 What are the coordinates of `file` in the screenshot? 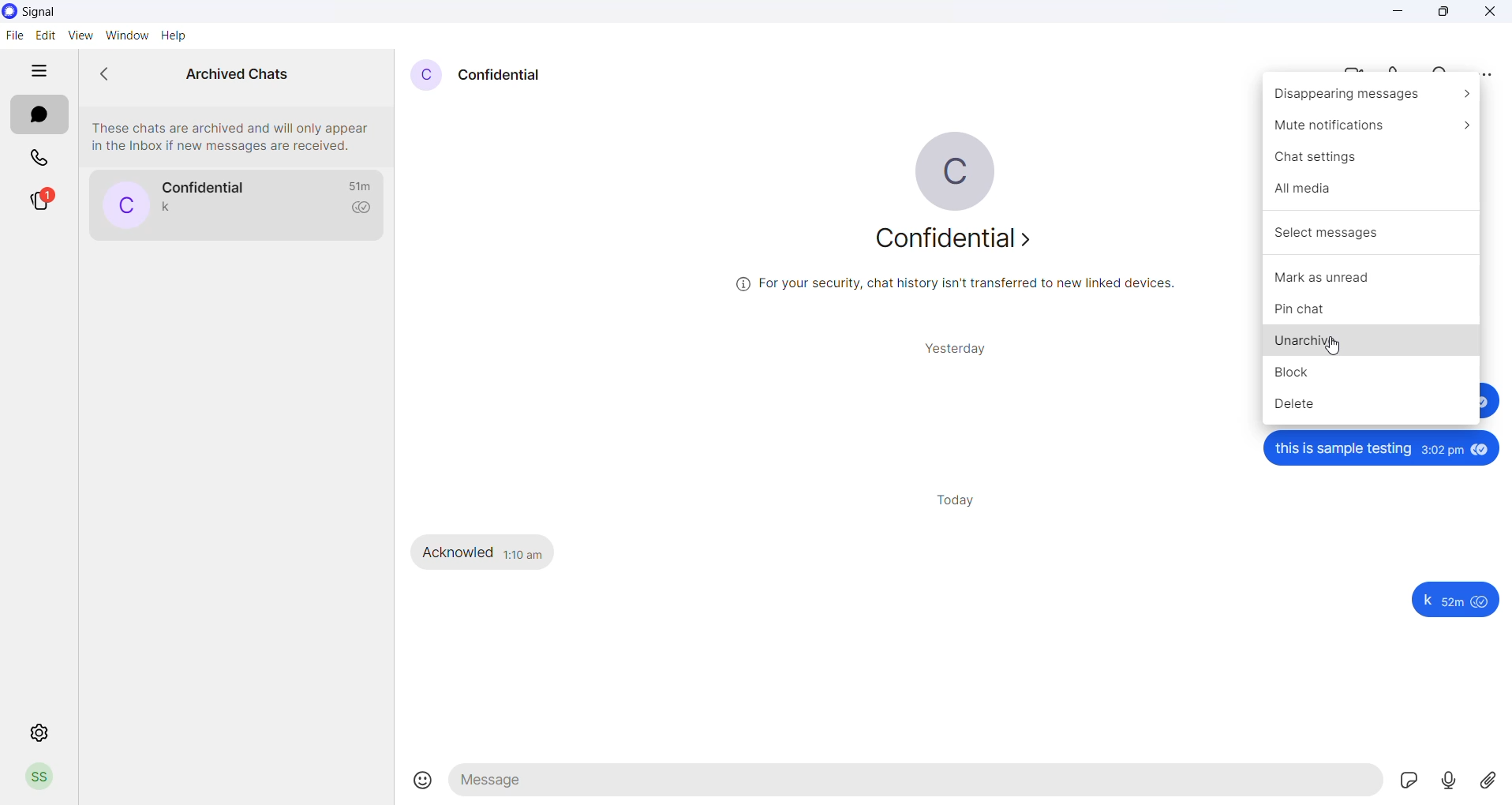 It's located at (14, 36).